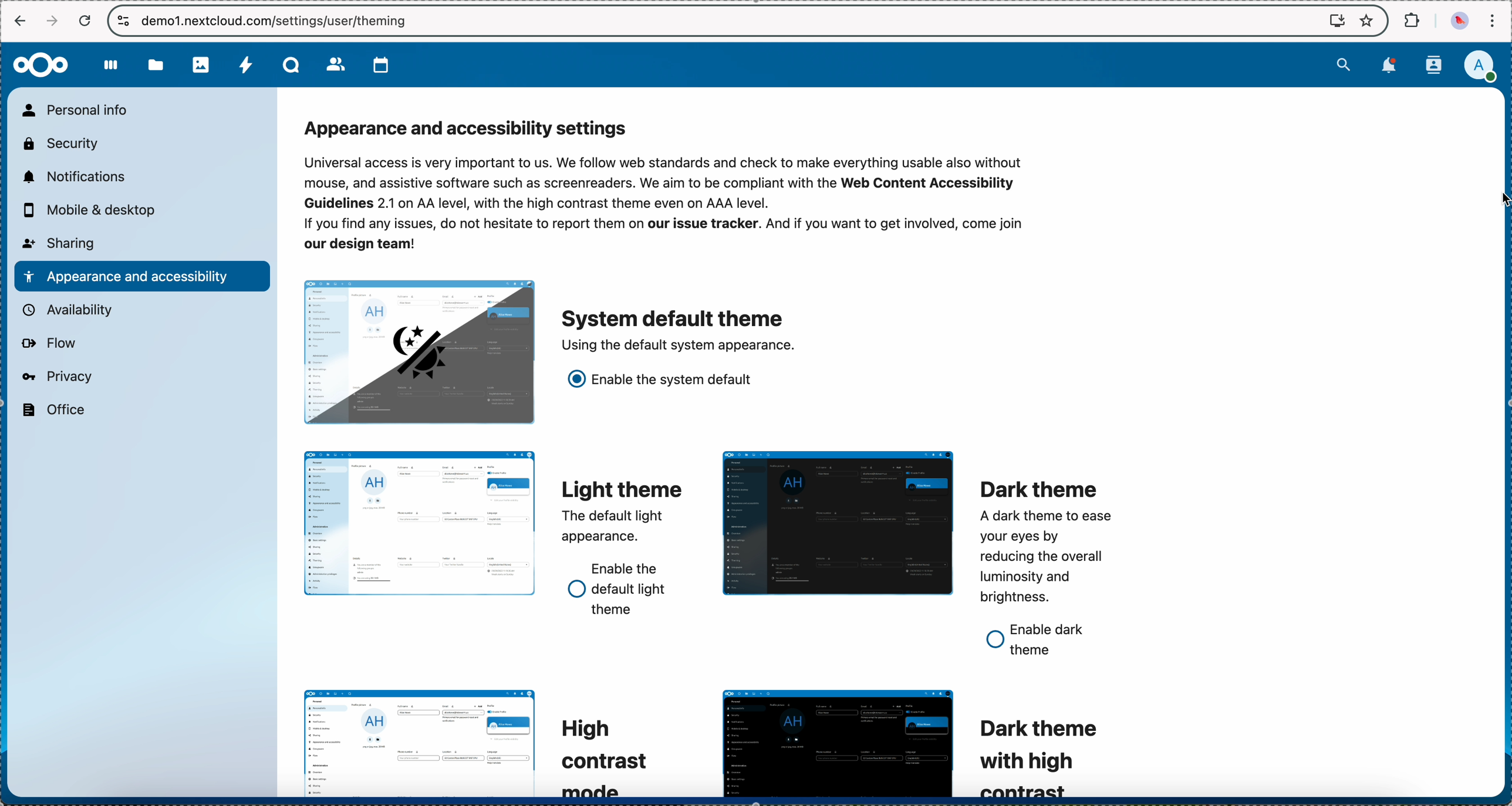 Image resolution: width=1512 pixels, height=806 pixels. What do you see at coordinates (1042, 640) in the screenshot?
I see `enable dark theme option` at bounding box center [1042, 640].